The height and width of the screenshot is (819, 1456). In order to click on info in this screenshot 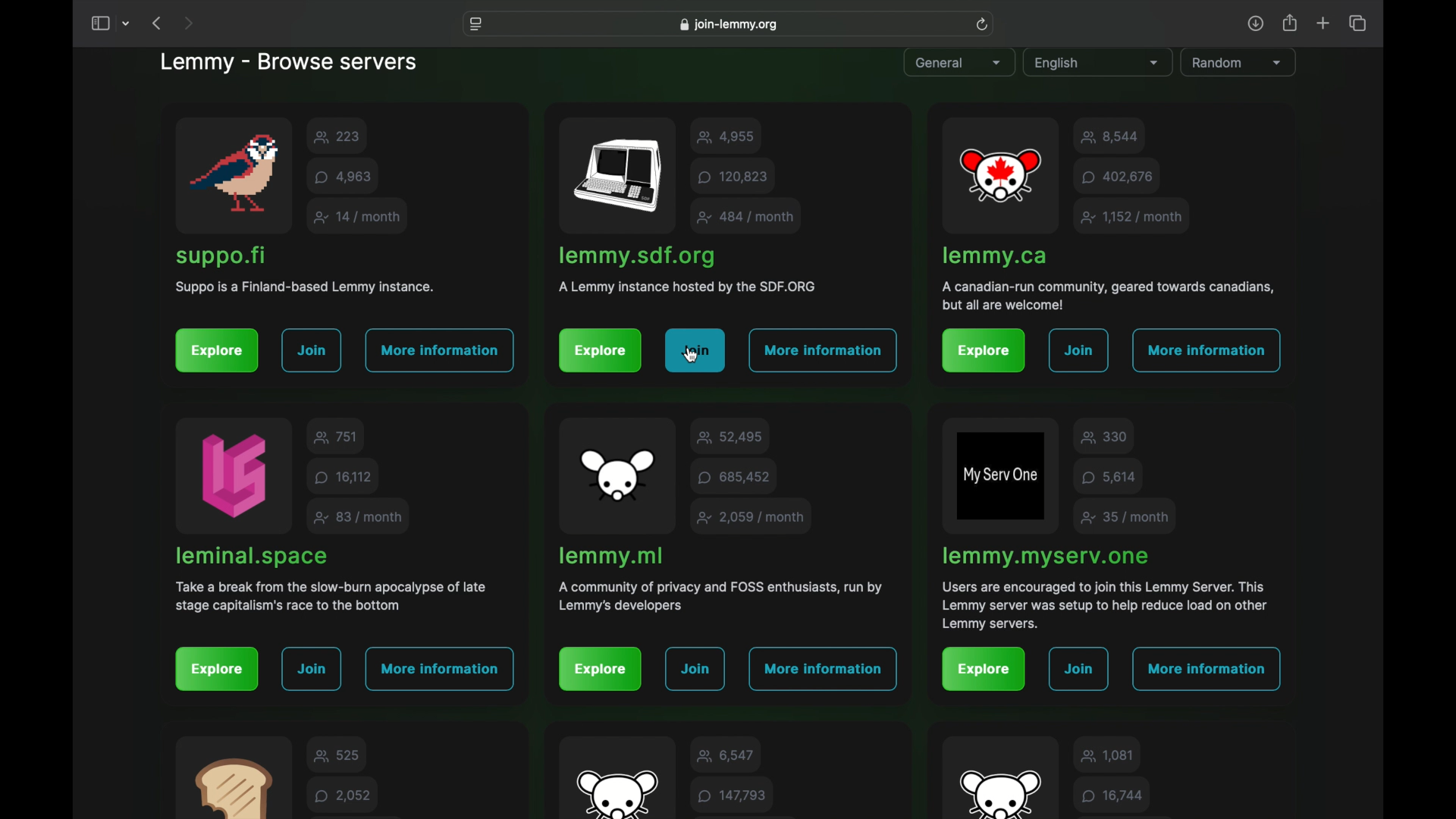, I will do `click(719, 596)`.